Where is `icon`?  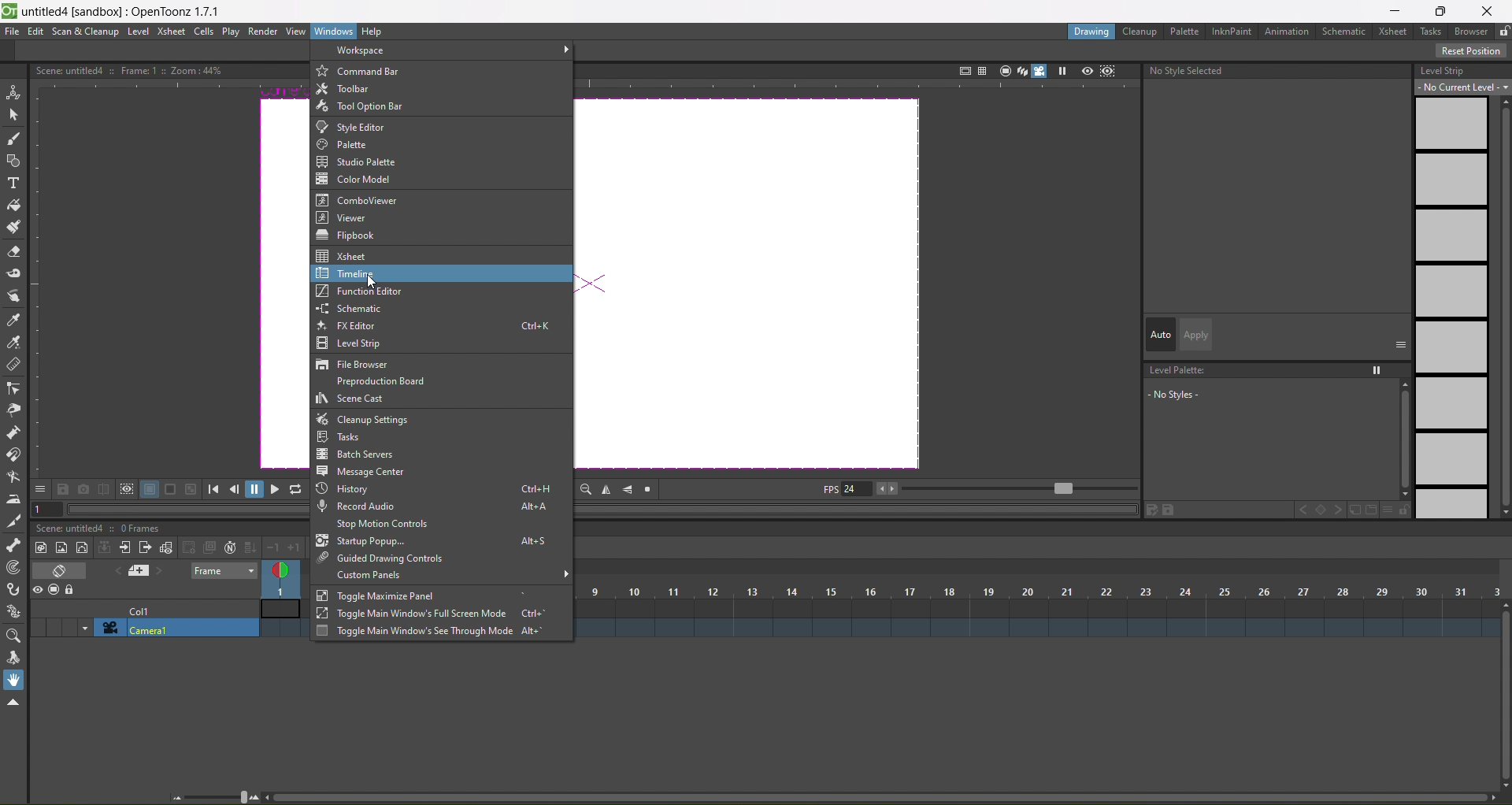
icon is located at coordinates (55, 591).